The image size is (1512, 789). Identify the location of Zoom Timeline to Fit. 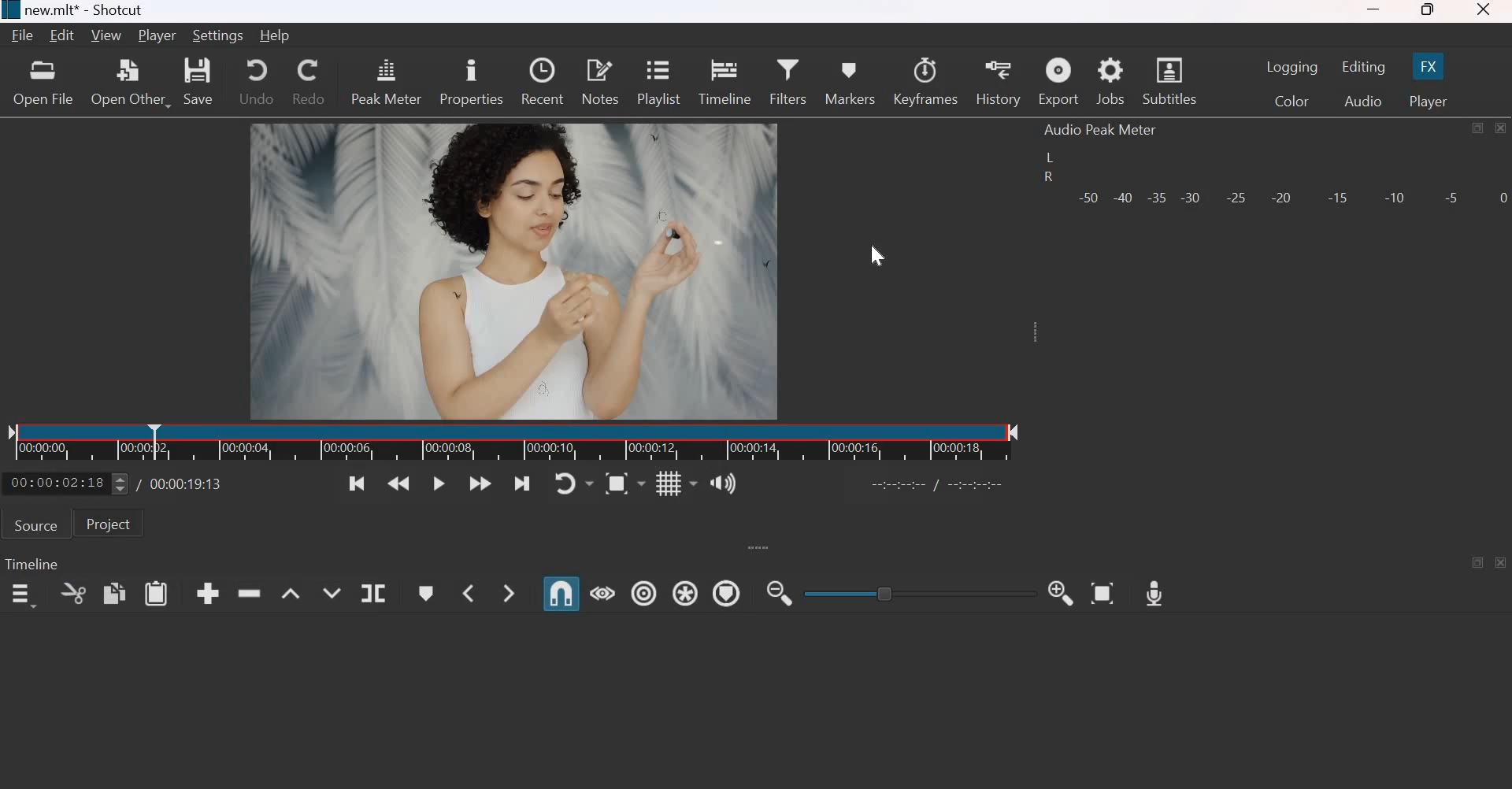
(1102, 593).